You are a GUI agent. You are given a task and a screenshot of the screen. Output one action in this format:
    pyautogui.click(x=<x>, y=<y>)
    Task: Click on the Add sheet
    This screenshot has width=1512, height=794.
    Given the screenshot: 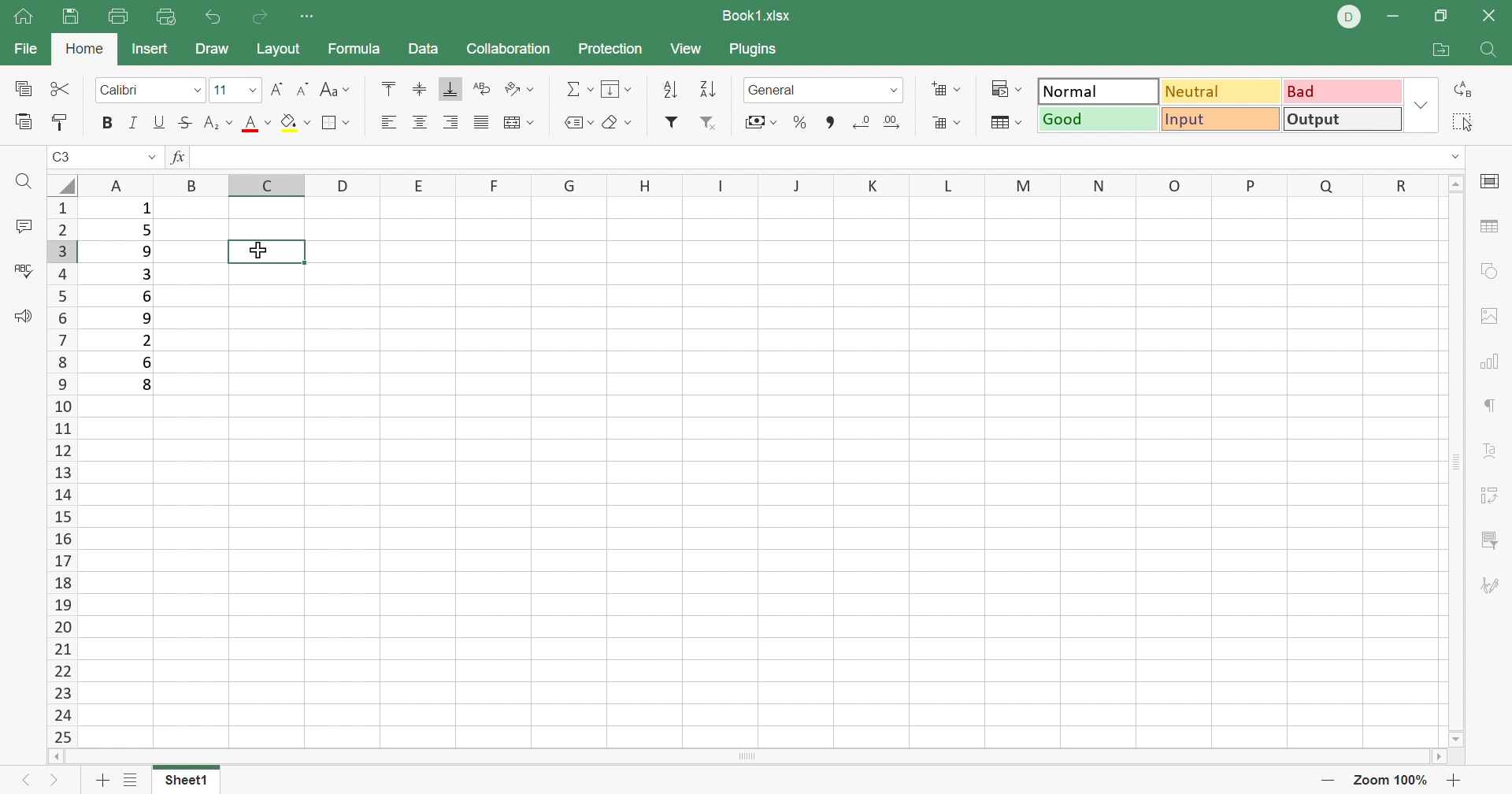 What is the action you would take?
    pyautogui.click(x=102, y=782)
    